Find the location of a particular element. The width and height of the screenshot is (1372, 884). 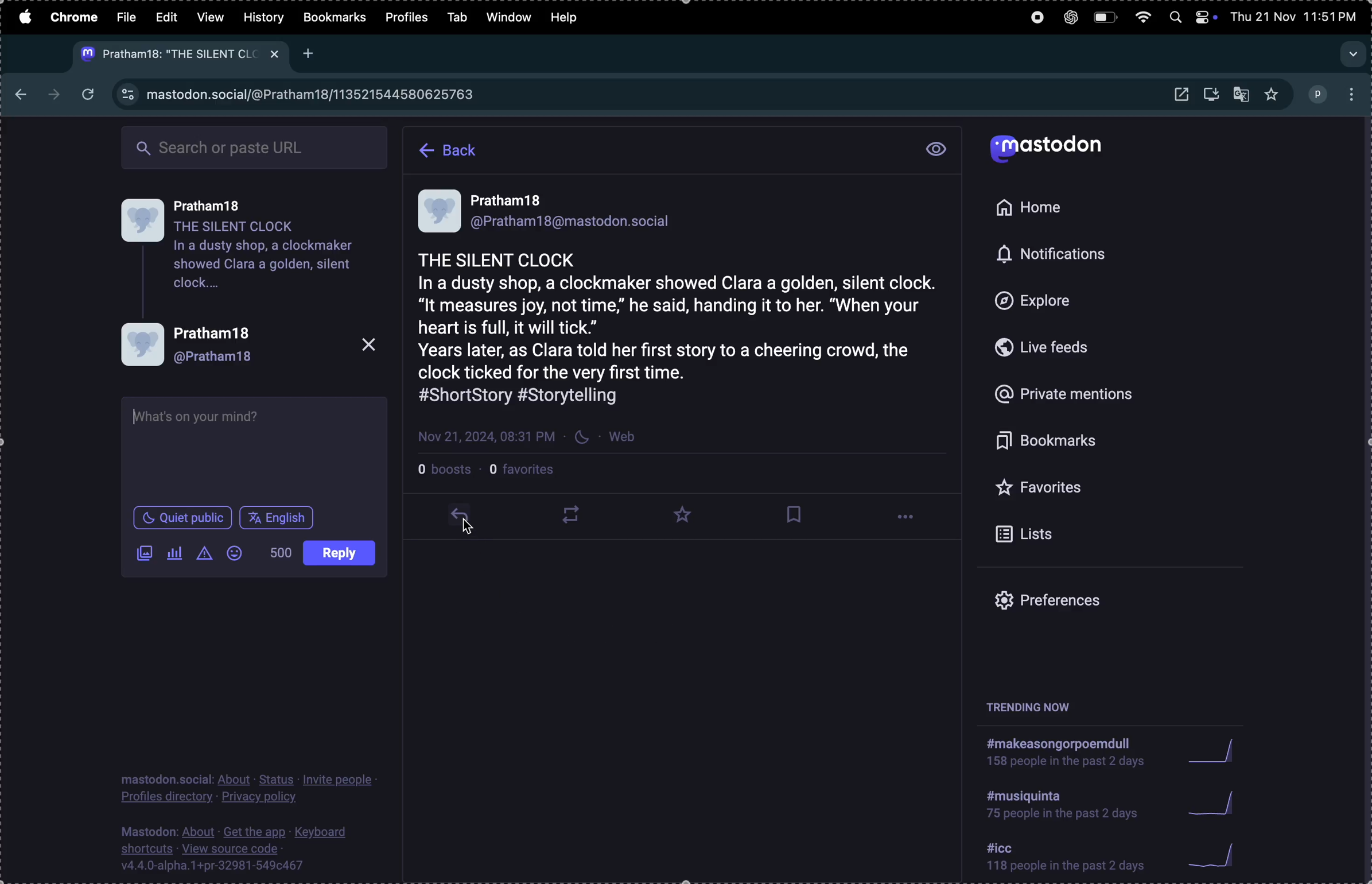

help is located at coordinates (570, 20).